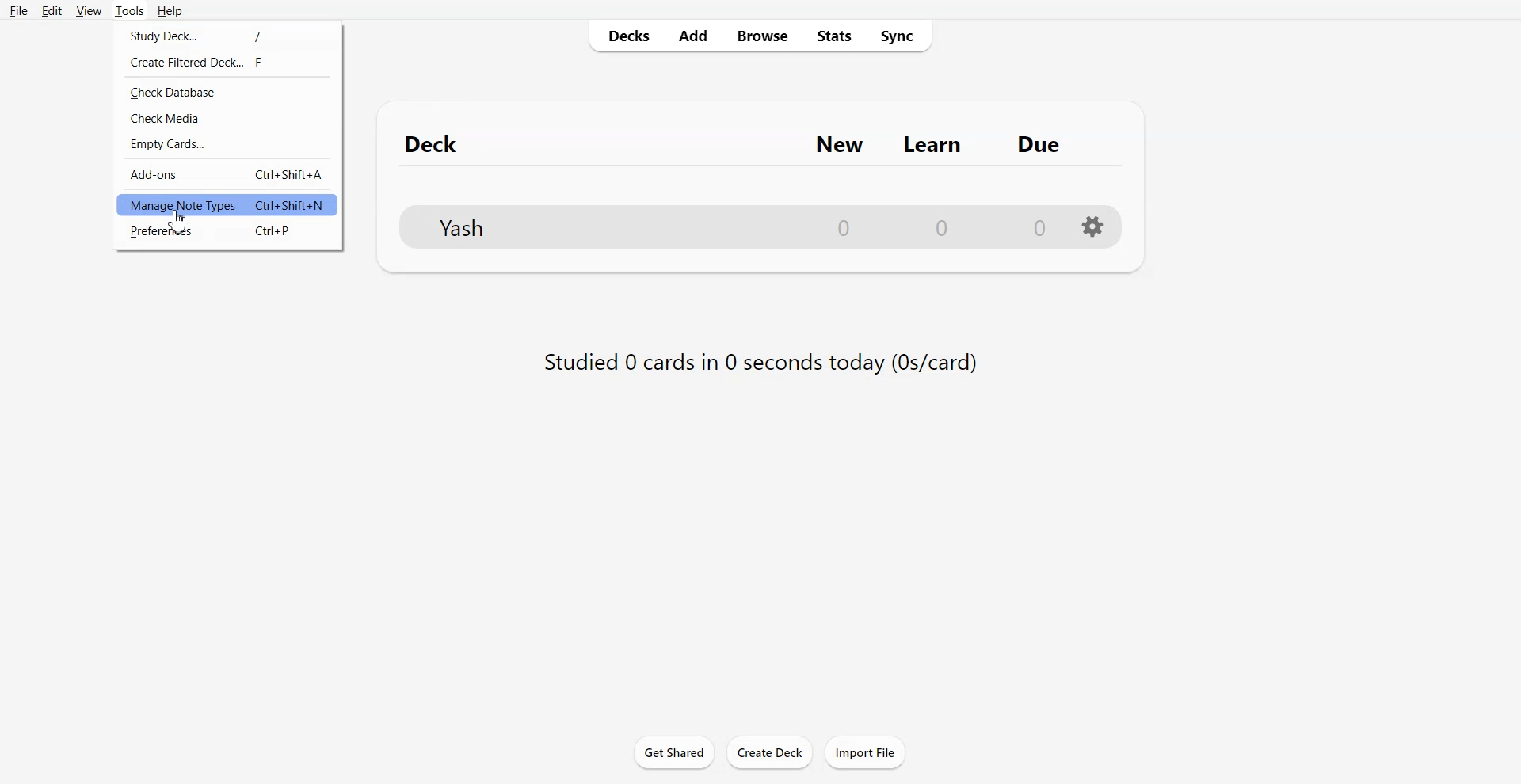 The height and width of the screenshot is (784, 1521). What do you see at coordinates (51, 10) in the screenshot?
I see `Edit` at bounding box center [51, 10].